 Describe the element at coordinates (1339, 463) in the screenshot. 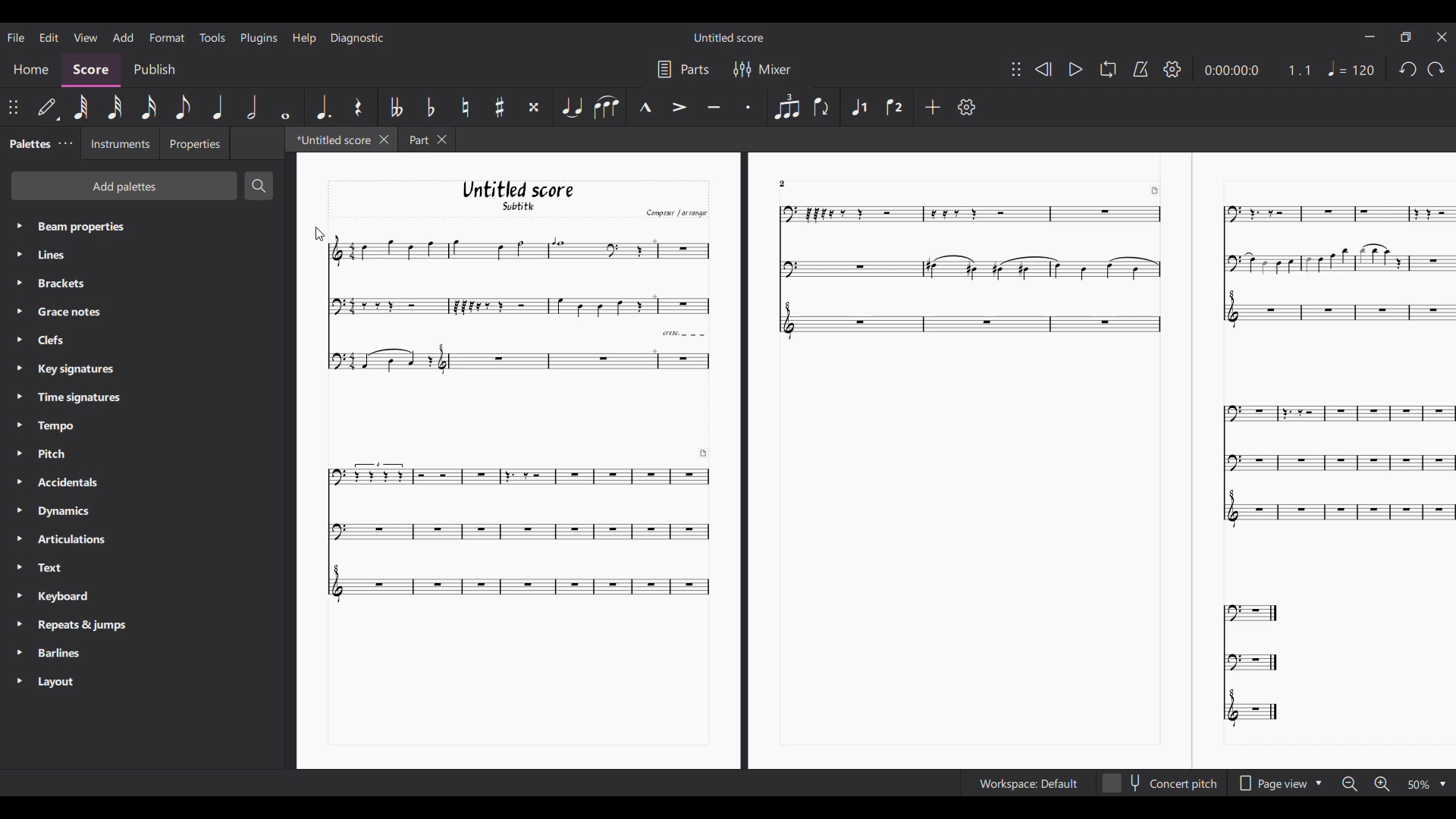

I see `` at that location.